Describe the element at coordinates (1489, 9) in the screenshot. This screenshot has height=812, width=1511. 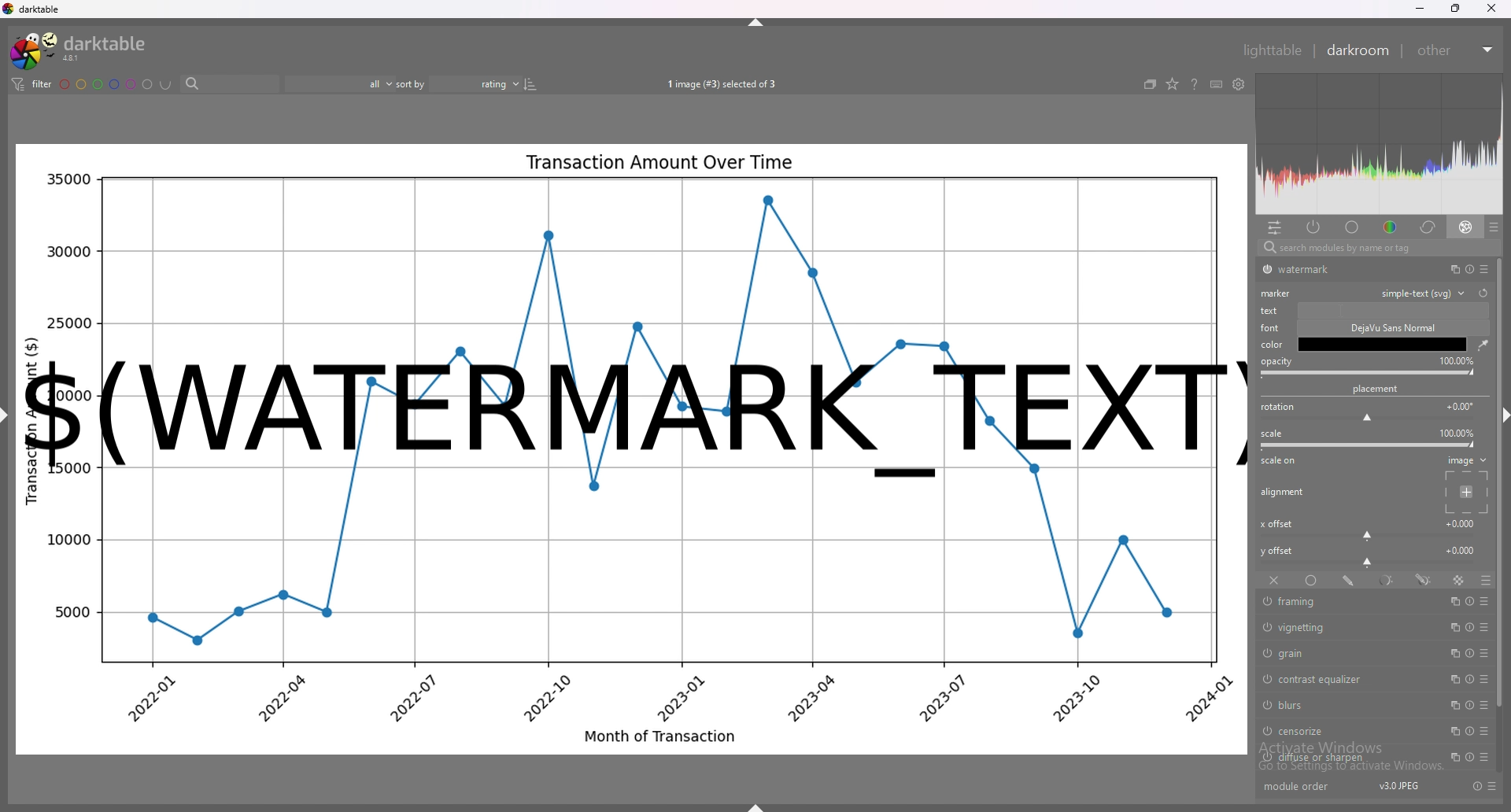
I see `close` at that location.